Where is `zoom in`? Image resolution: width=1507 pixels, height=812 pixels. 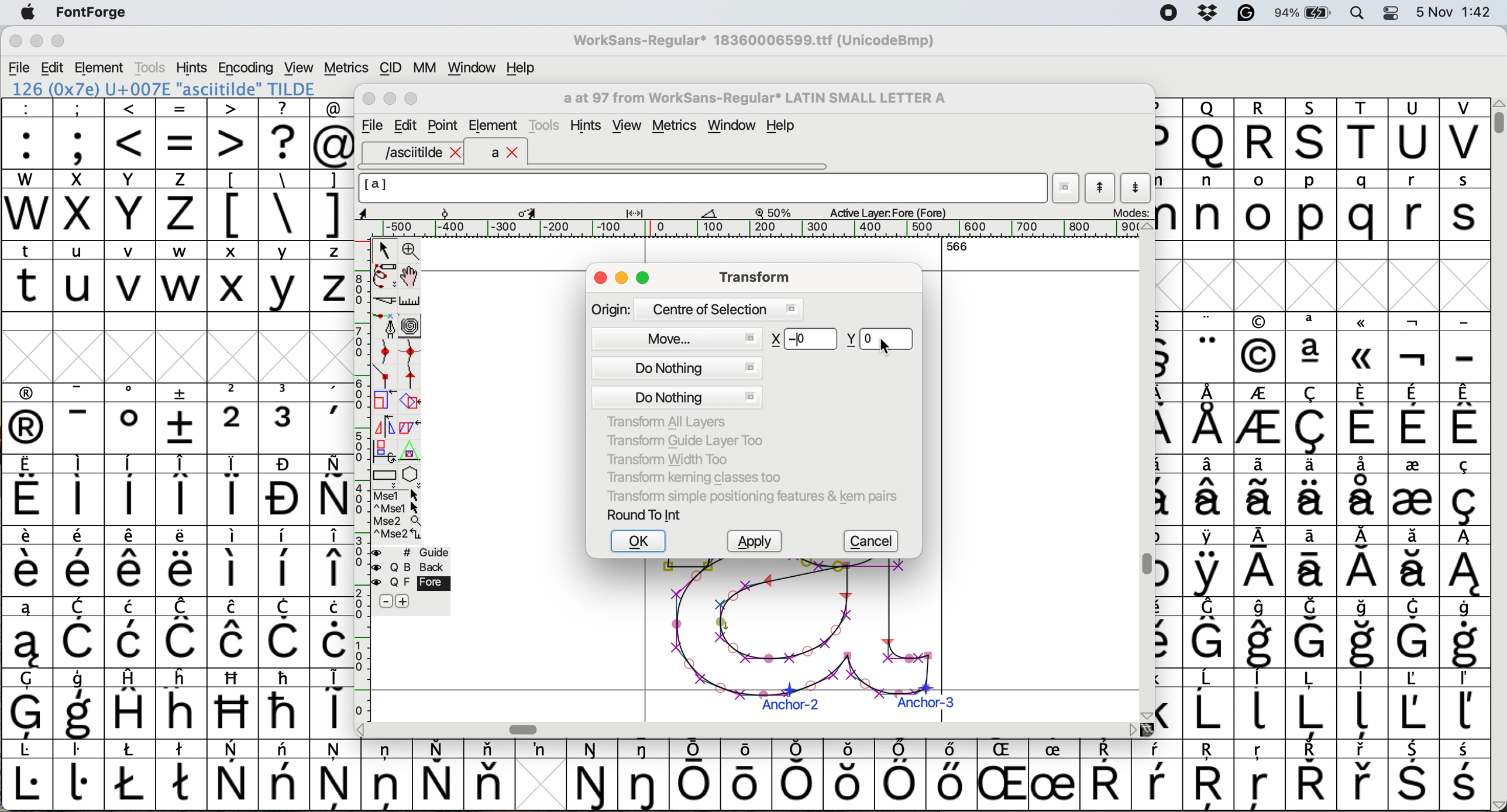
zoom in is located at coordinates (413, 252).